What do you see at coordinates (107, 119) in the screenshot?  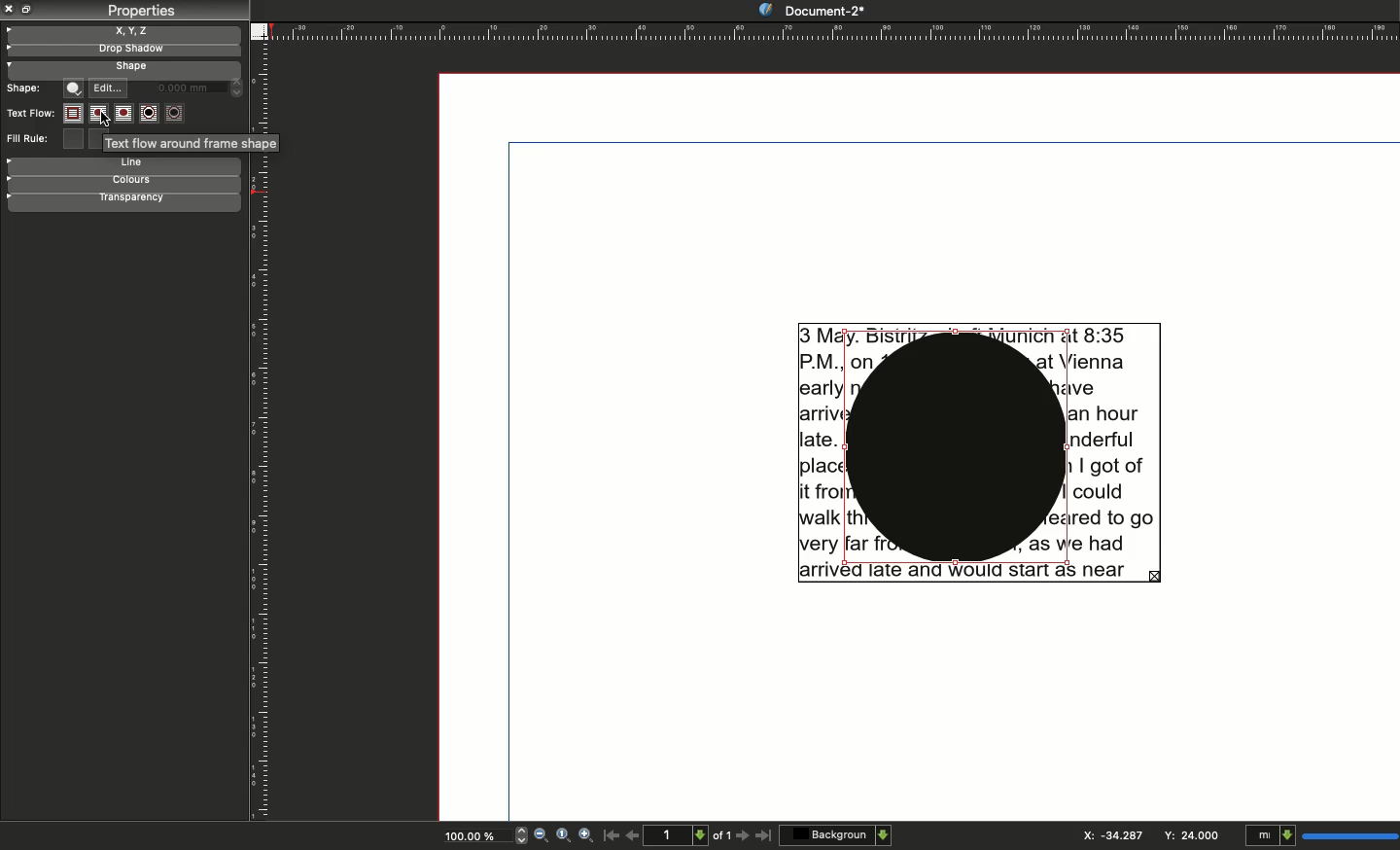 I see `cursor` at bounding box center [107, 119].